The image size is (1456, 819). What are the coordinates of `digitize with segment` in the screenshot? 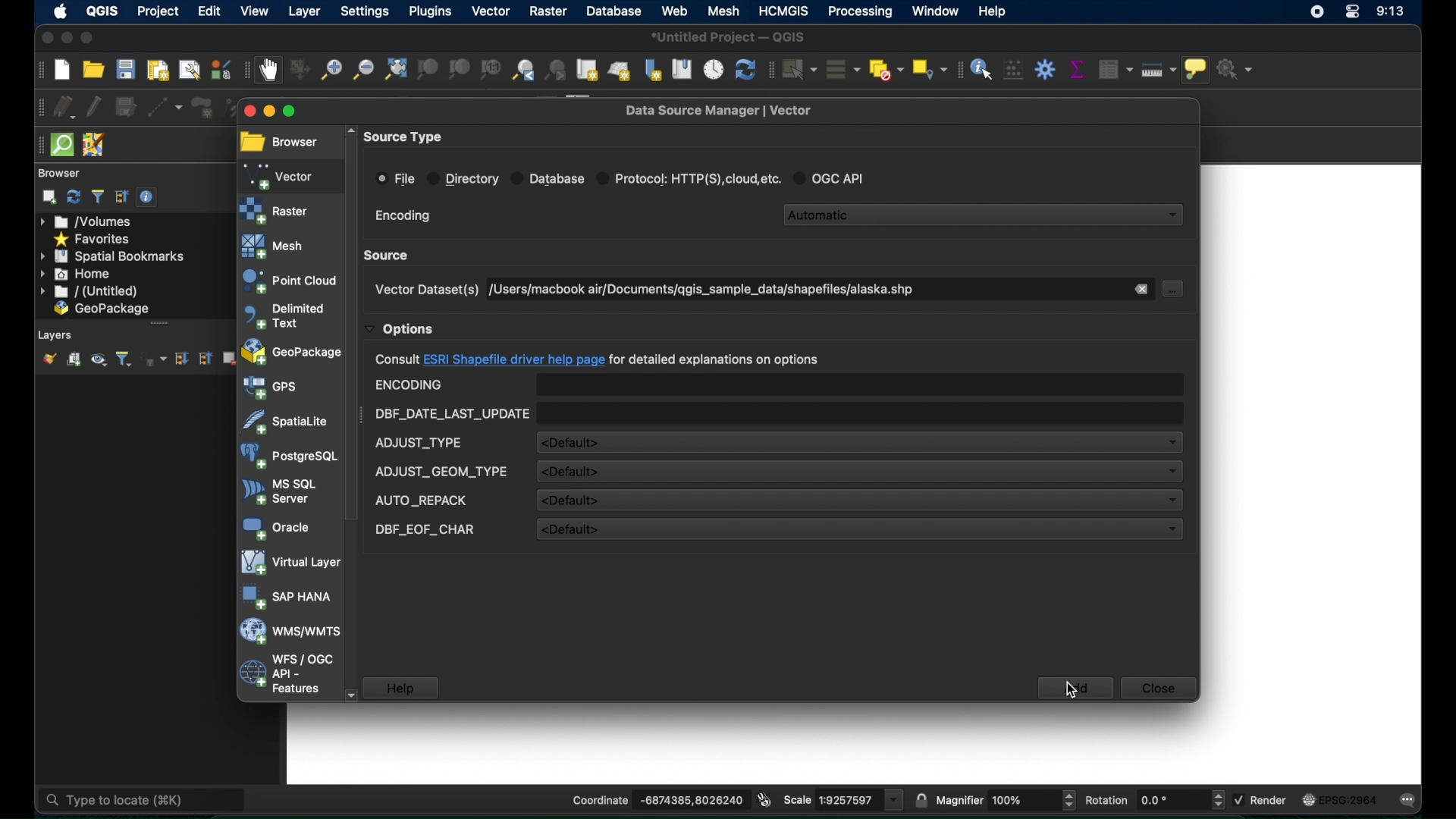 It's located at (166, 106).